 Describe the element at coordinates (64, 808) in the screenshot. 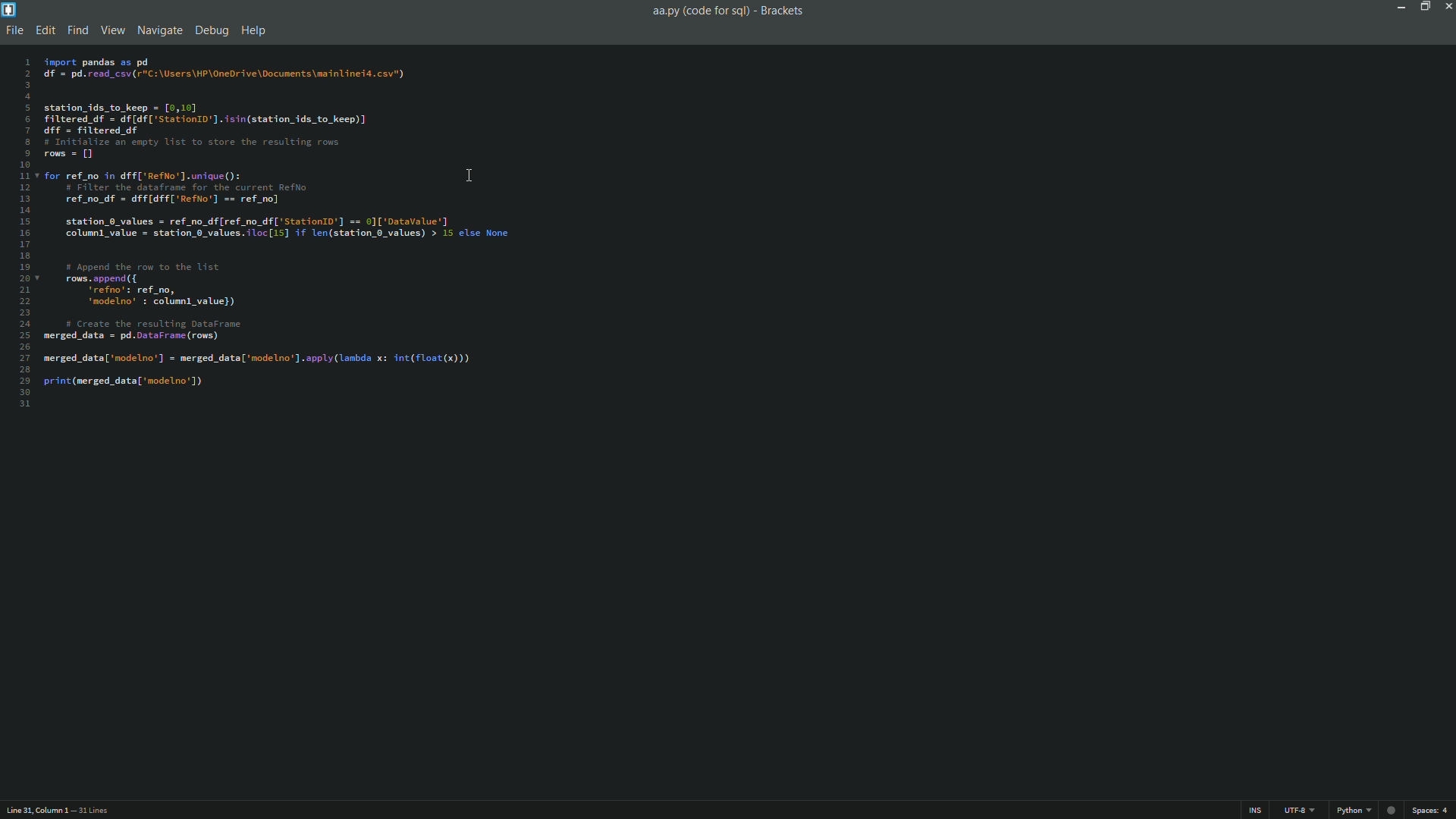

I see `Line31, Column 1 — 31 Lines.` at that location.